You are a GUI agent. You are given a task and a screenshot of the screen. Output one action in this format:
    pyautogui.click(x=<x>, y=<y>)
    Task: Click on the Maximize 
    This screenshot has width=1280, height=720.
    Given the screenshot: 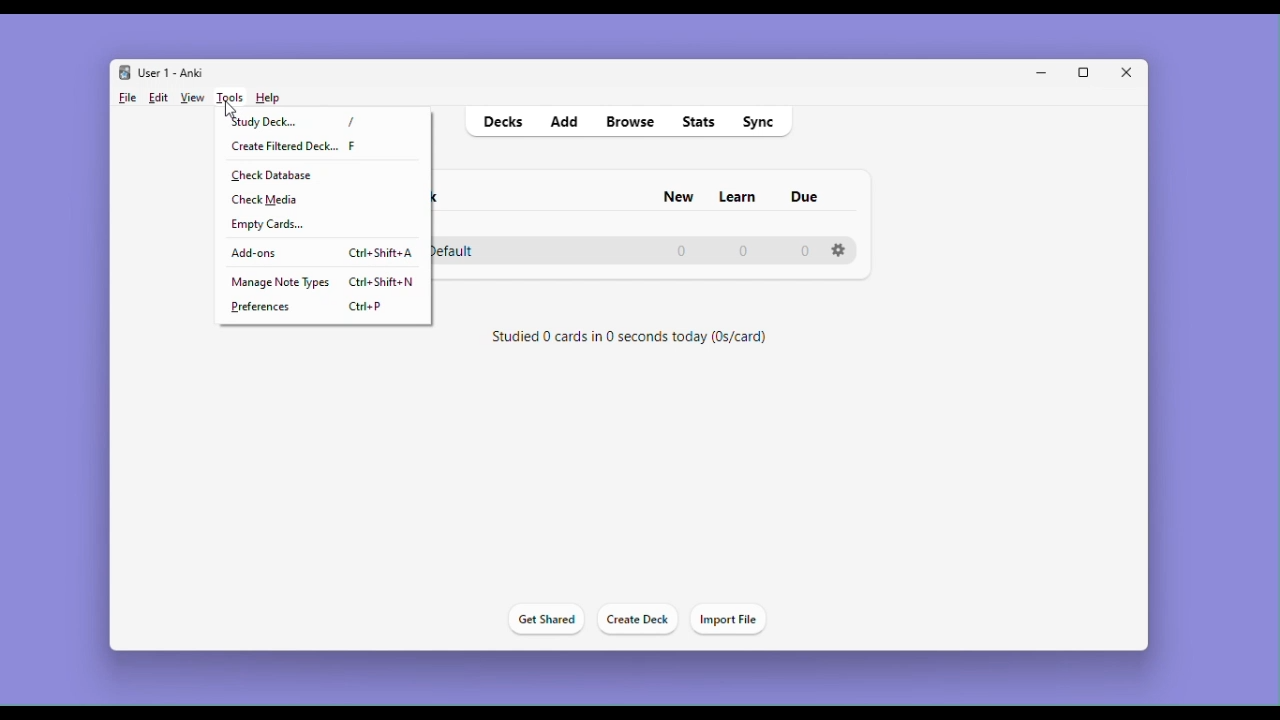 What is the action you would take?
    pyautogui.click(x=1084, y=71)
    